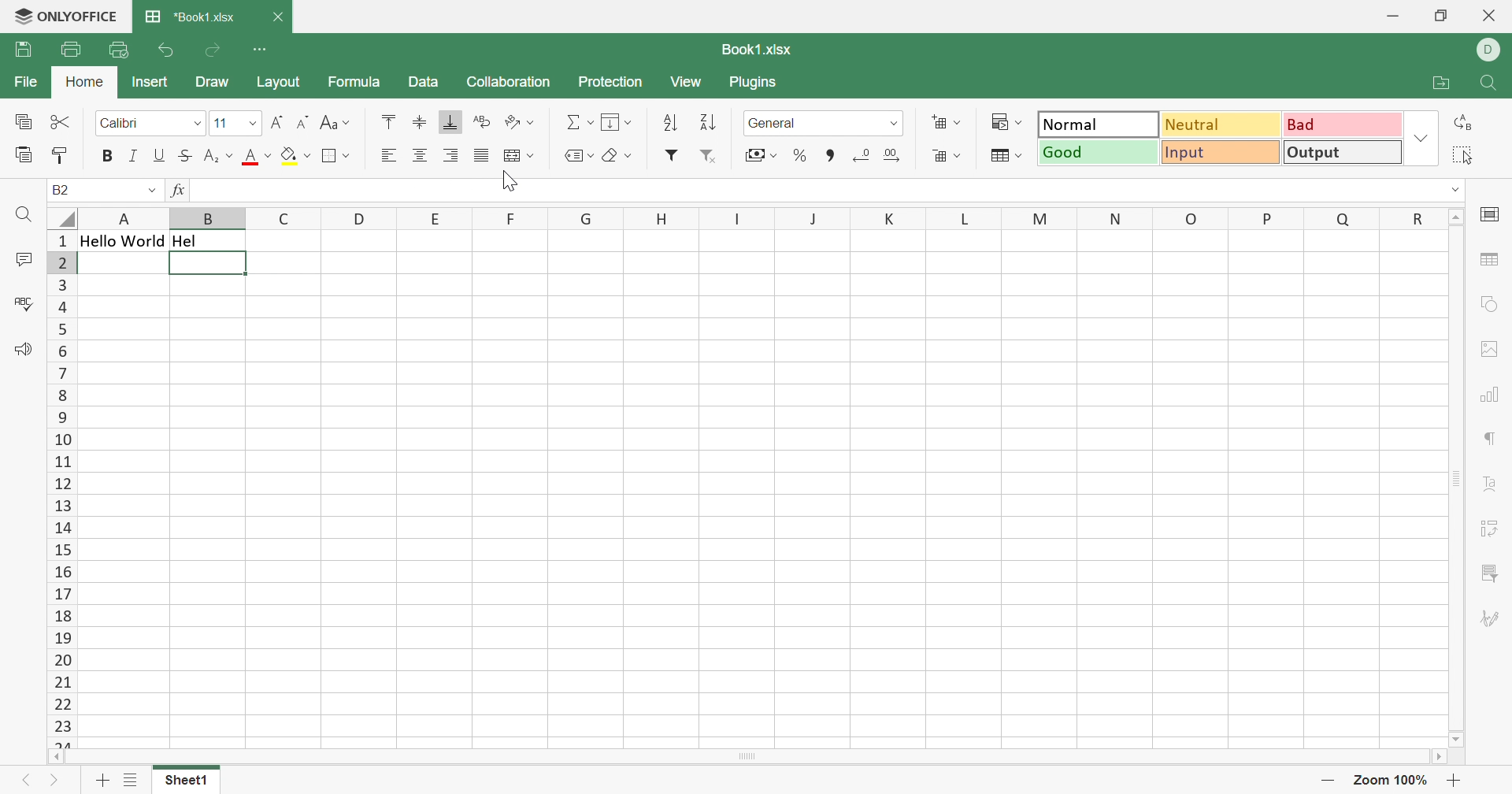 The width and height of the screenshot is (1512, 794). I want to click on Paste, so click(23, 156).